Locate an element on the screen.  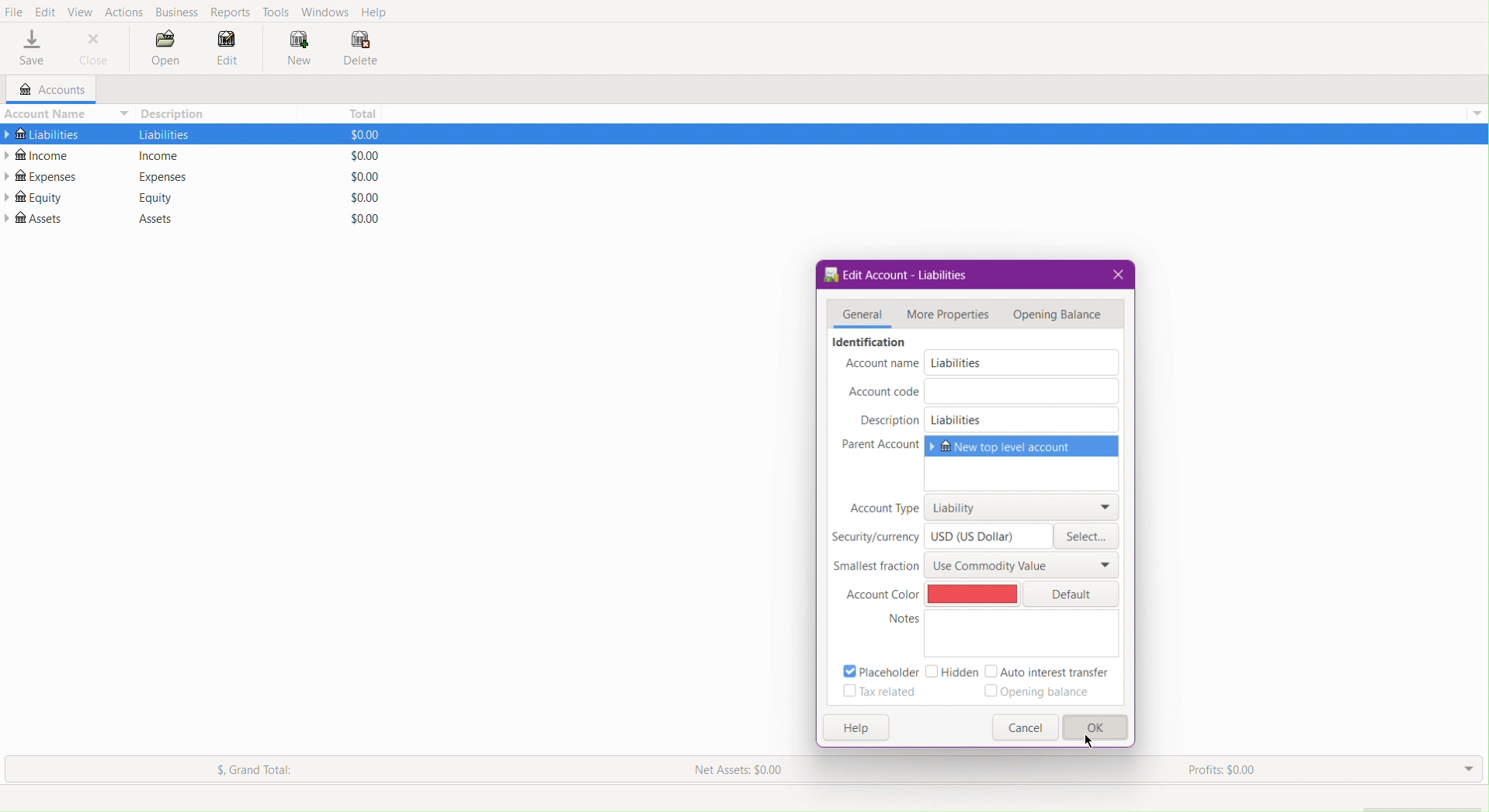
Accounts is located at coordinates (45, 90).